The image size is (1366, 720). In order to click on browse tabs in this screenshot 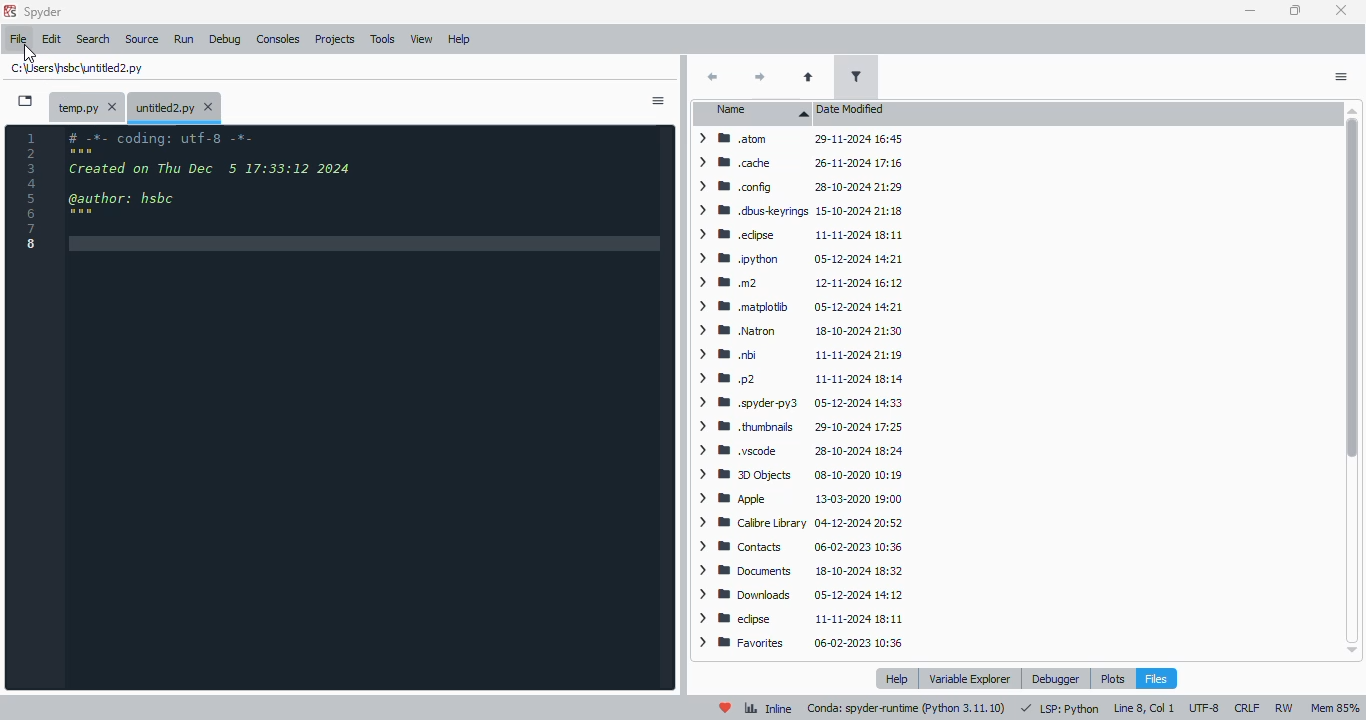, I will do `click(23, 100)`.